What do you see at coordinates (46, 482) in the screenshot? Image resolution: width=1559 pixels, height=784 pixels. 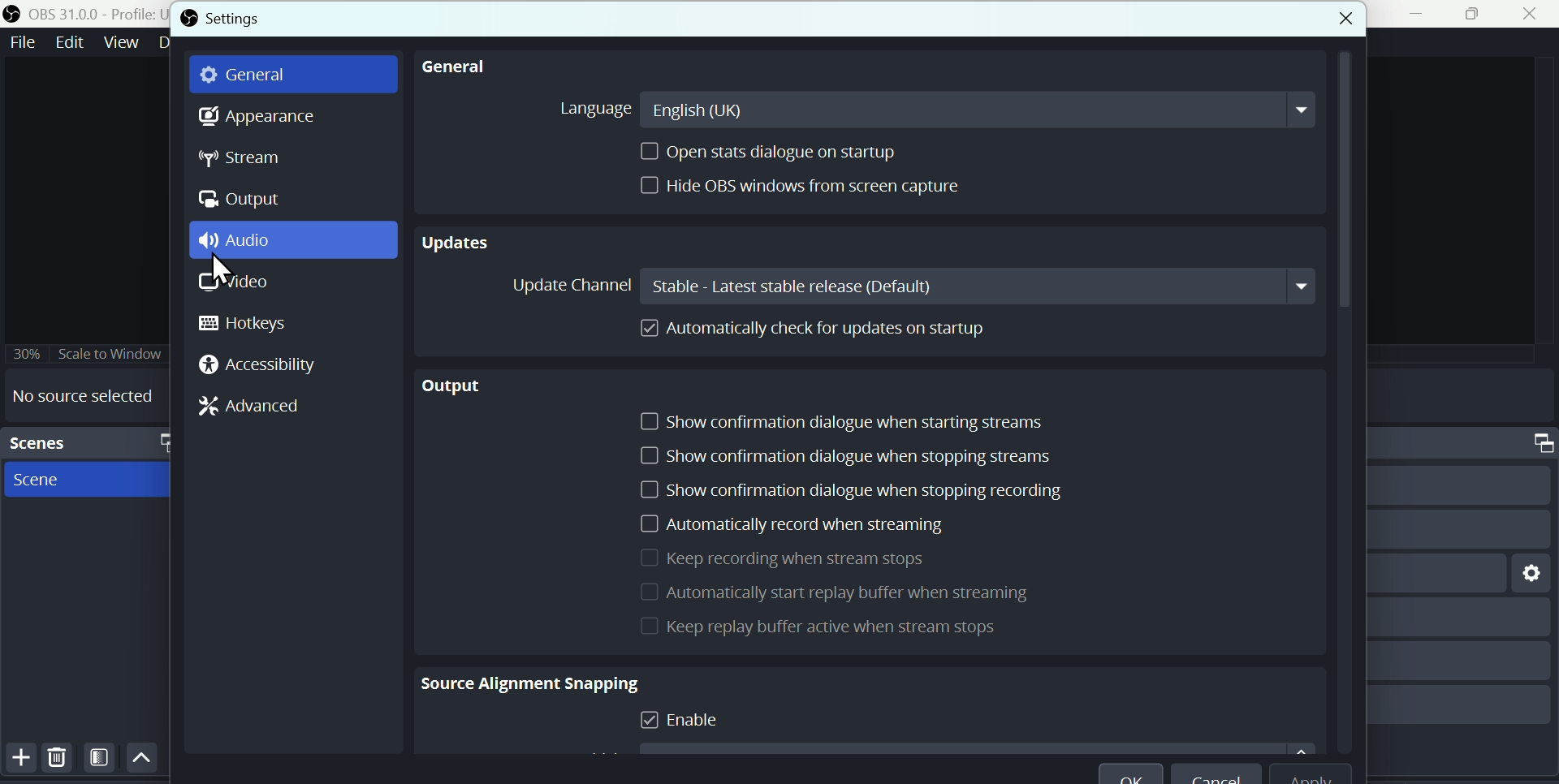 I see `Scene` at bounding box center [46, 482].